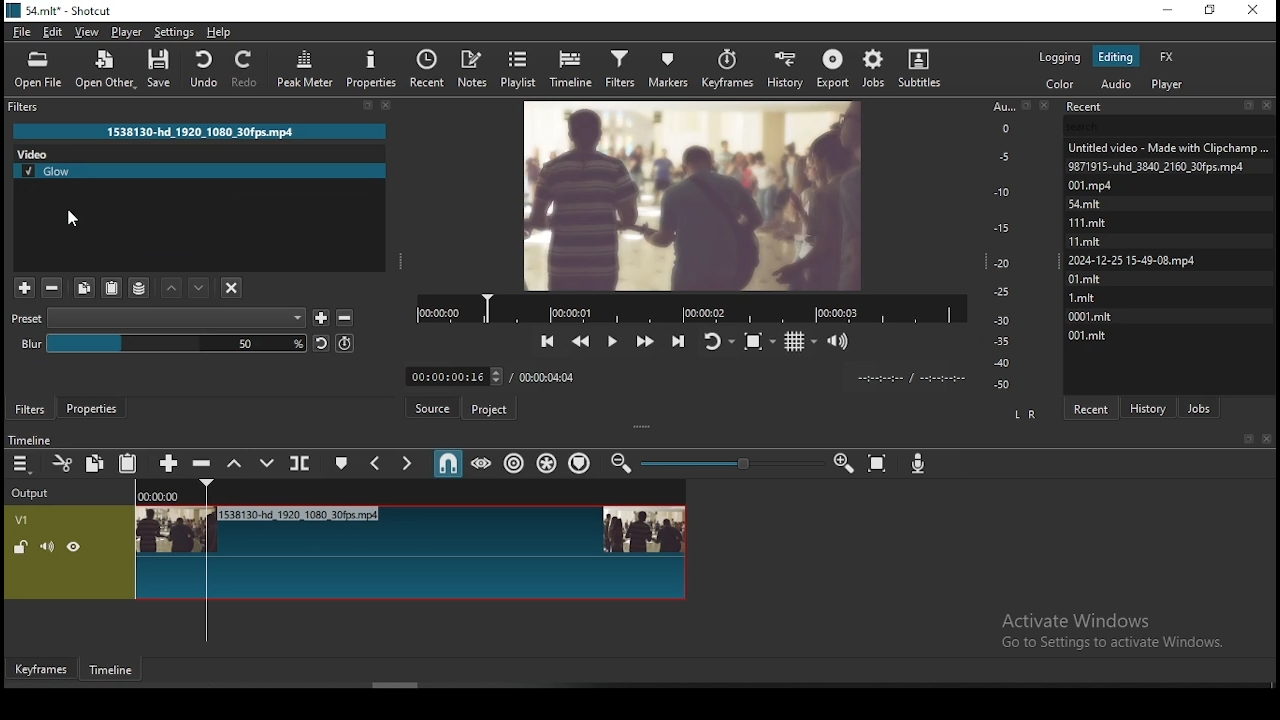  Describe the element at coordinates (611, 342) in the screenshot. I see `play/pause` at that location.